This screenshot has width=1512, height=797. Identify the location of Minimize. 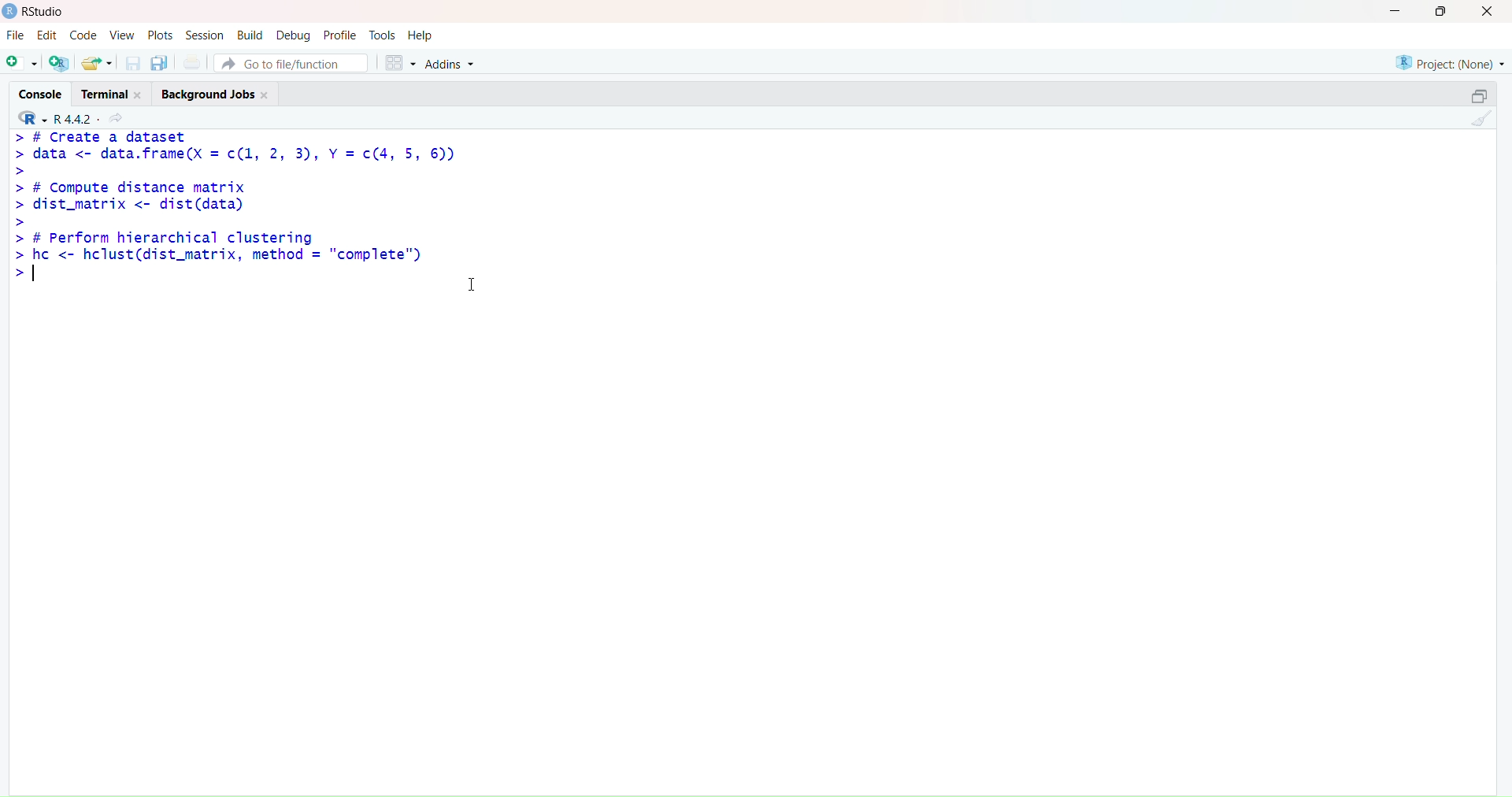
(1397, 14).